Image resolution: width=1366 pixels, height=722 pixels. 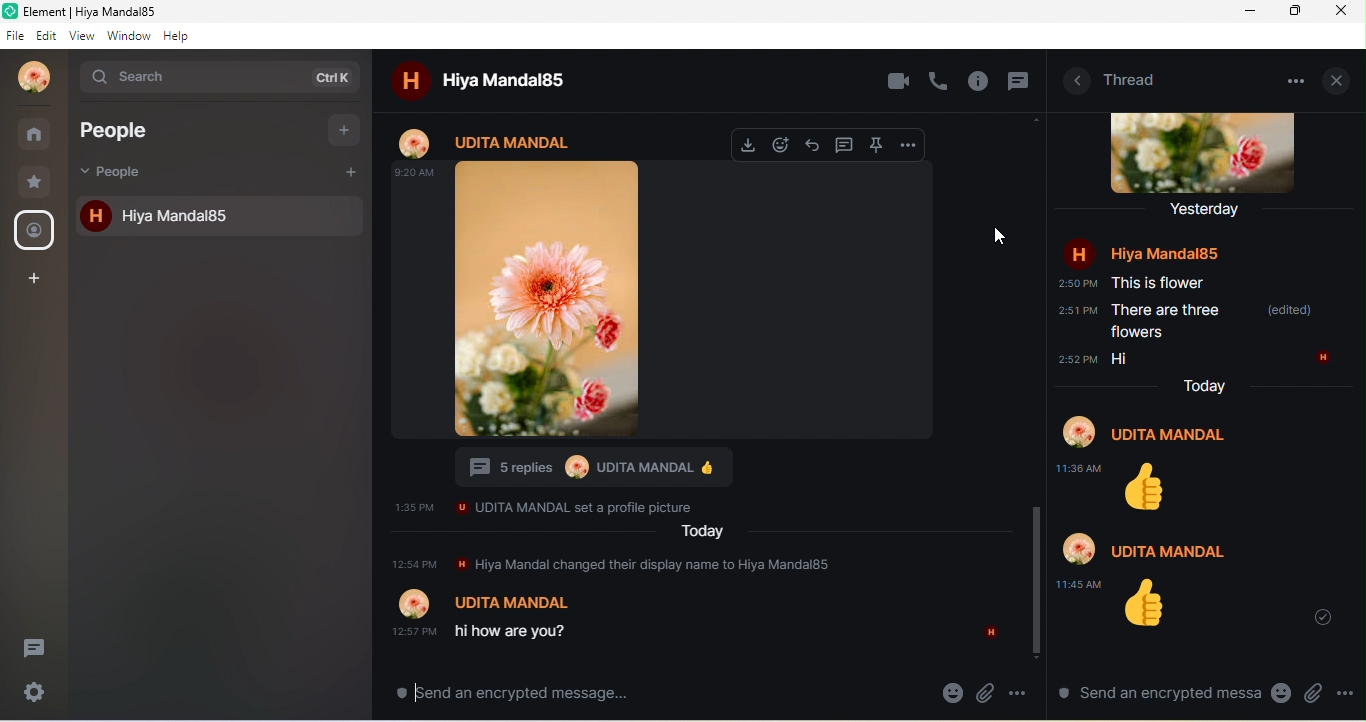 I want to click on h, so click(x=407, y=81).